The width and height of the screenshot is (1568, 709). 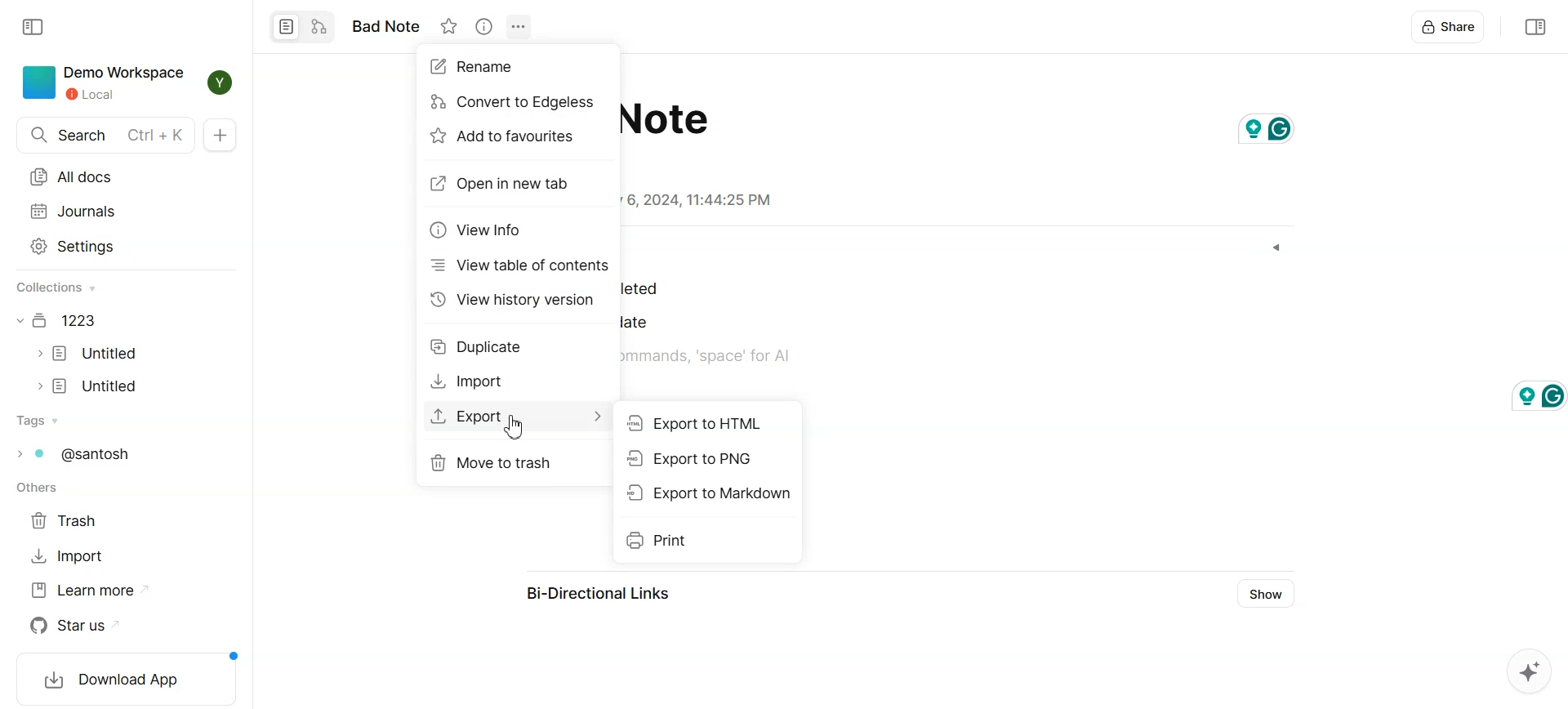 What do you see at coordinates (106, 177) in the screenshot?
I see `All docs` at bounding box center [106, 177].